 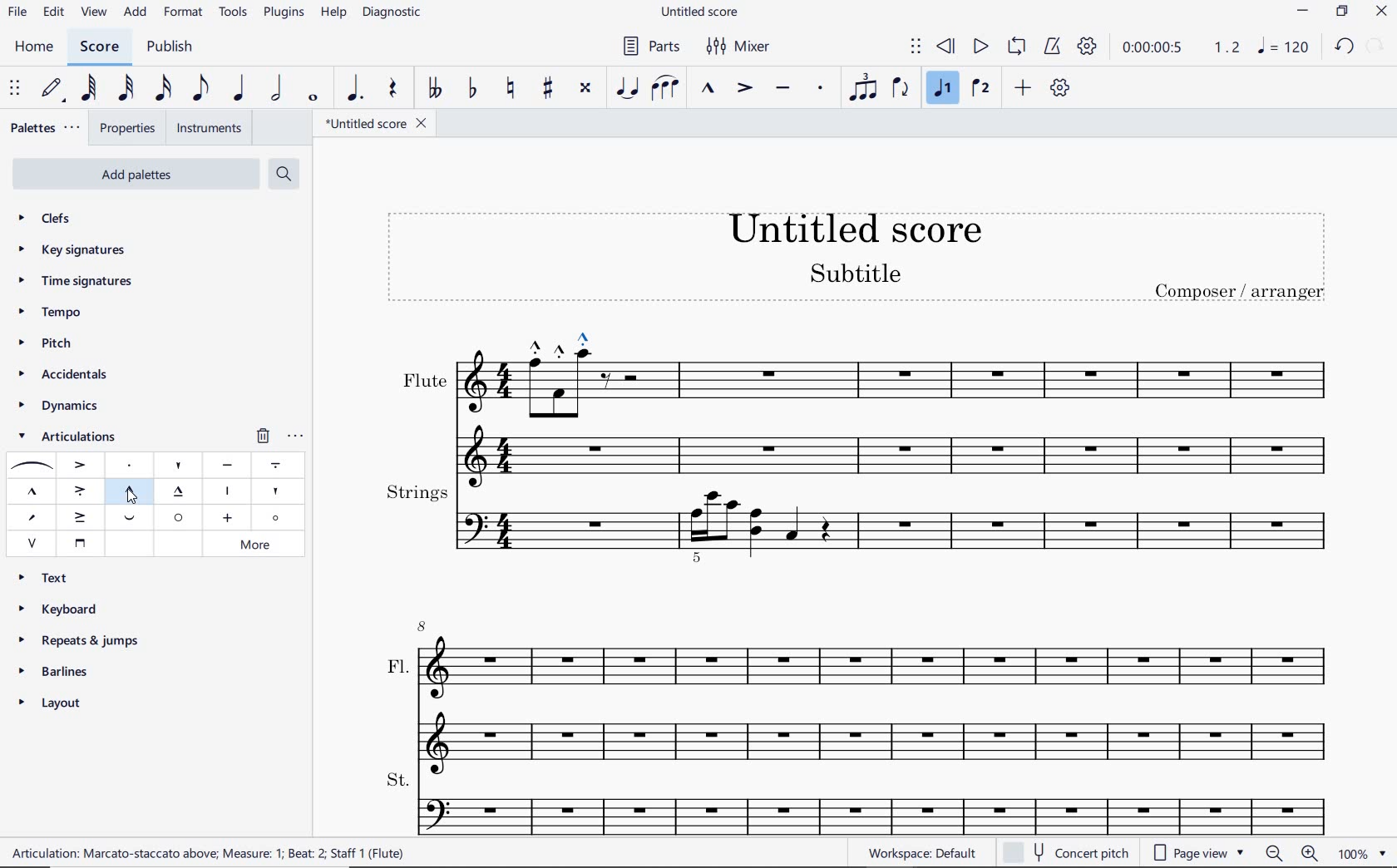 What do you see at coordinates (665, 89) in the screenshot?
I see `SLUR` at bounding box center [665, 89].